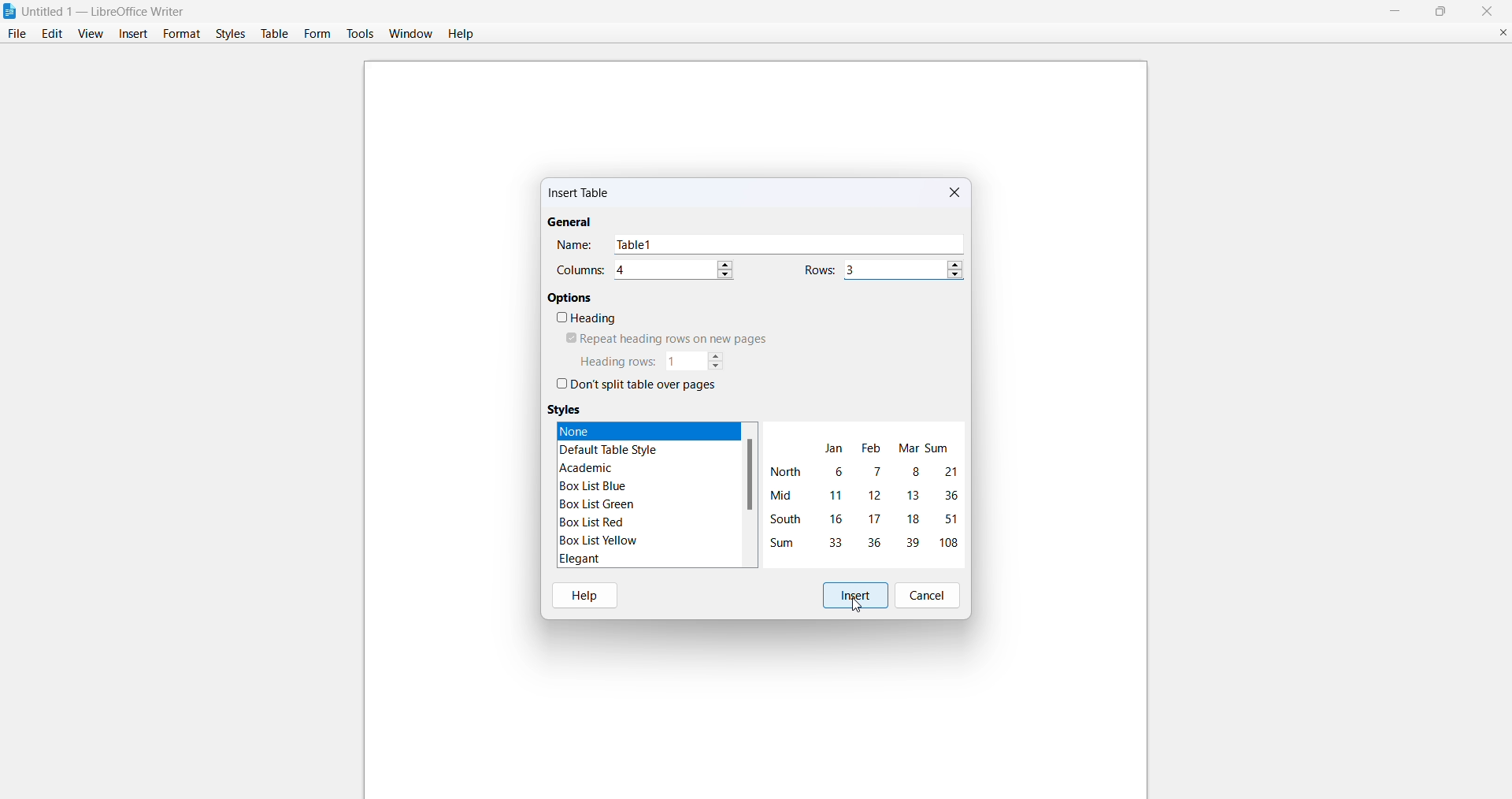 This screenshot has width=1512, height=799. Describe the element at coordinates (614, 449) in the screenshot. I see `default table style` at that location.